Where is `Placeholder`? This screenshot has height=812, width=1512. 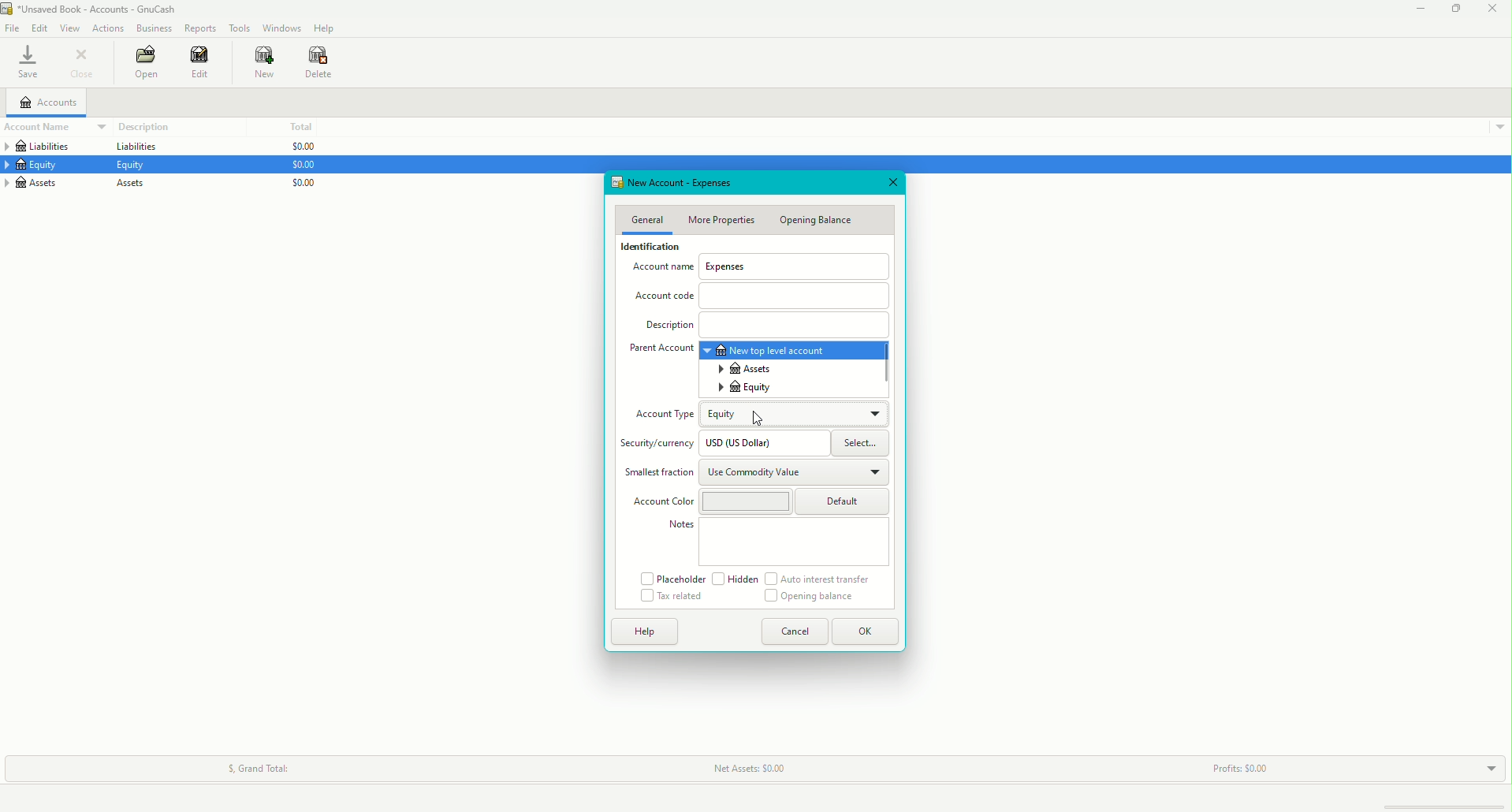
Placeholder is located at coordinates (672, 579).